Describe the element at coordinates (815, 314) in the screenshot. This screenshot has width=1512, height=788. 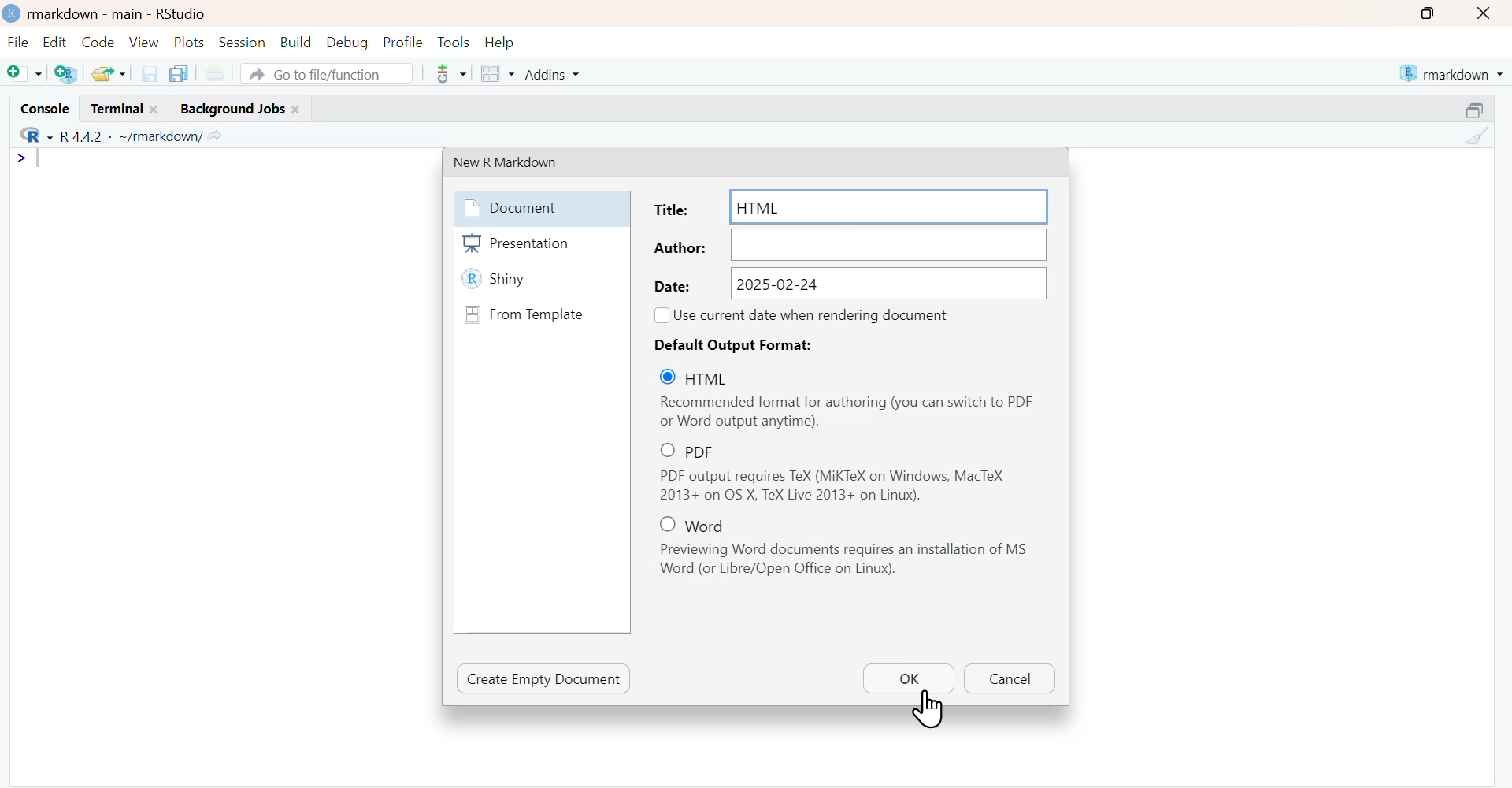
I see `Use current date when rendering document` at that location.